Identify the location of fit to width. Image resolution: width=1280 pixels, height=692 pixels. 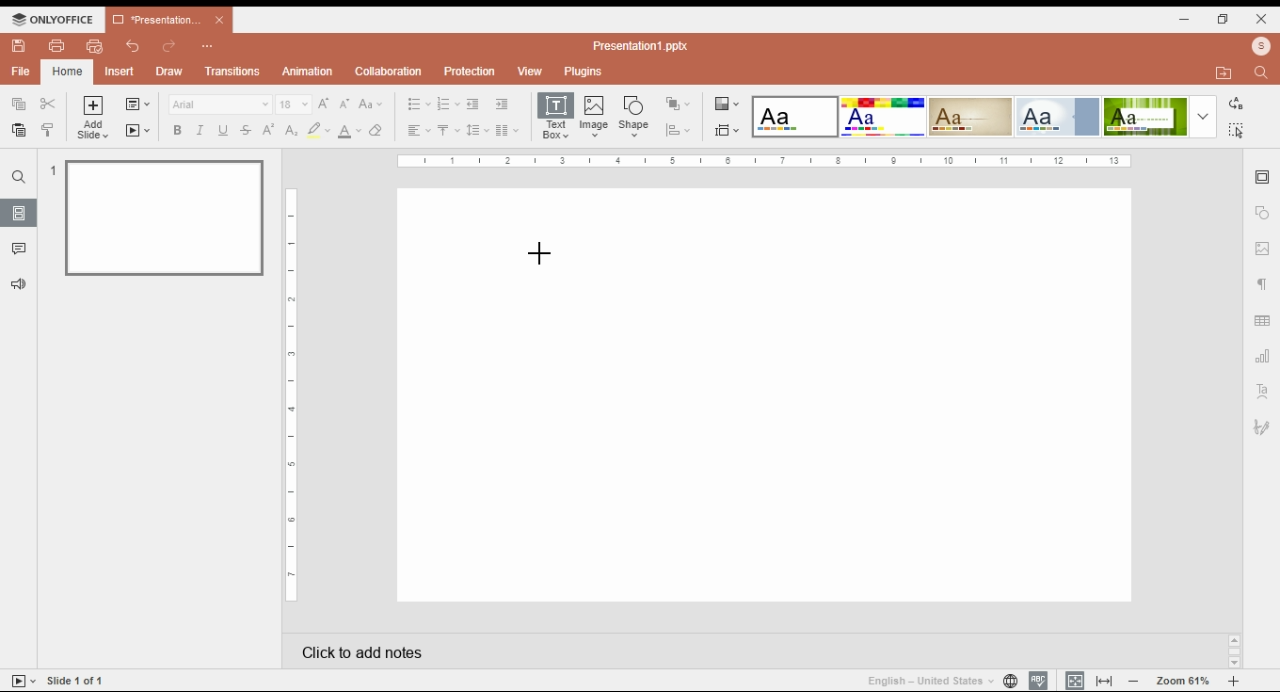
(1105, 680).